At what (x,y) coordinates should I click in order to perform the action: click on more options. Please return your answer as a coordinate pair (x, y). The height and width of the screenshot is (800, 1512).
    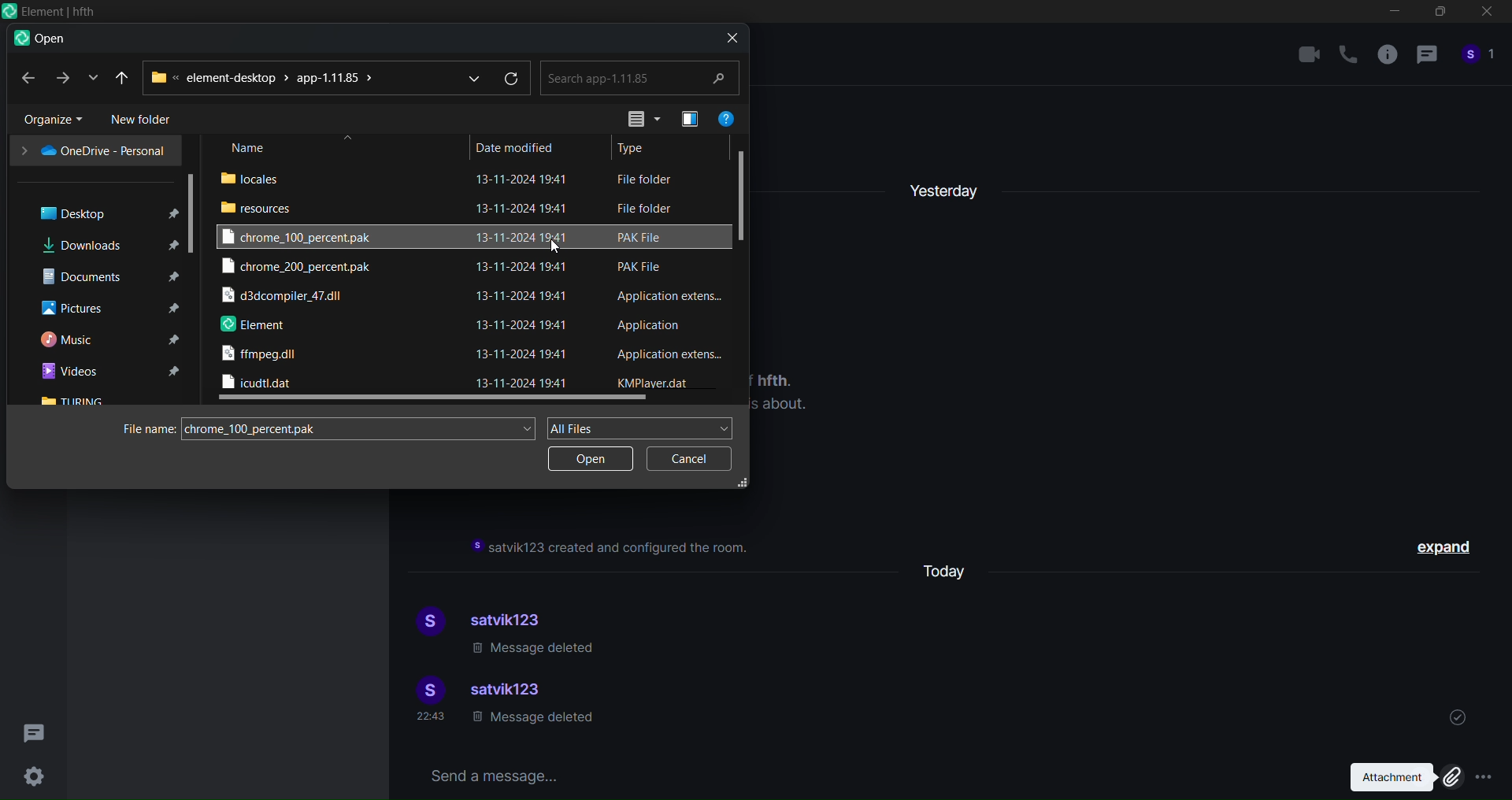
    Looking at the image, I should click on (1485, 778).